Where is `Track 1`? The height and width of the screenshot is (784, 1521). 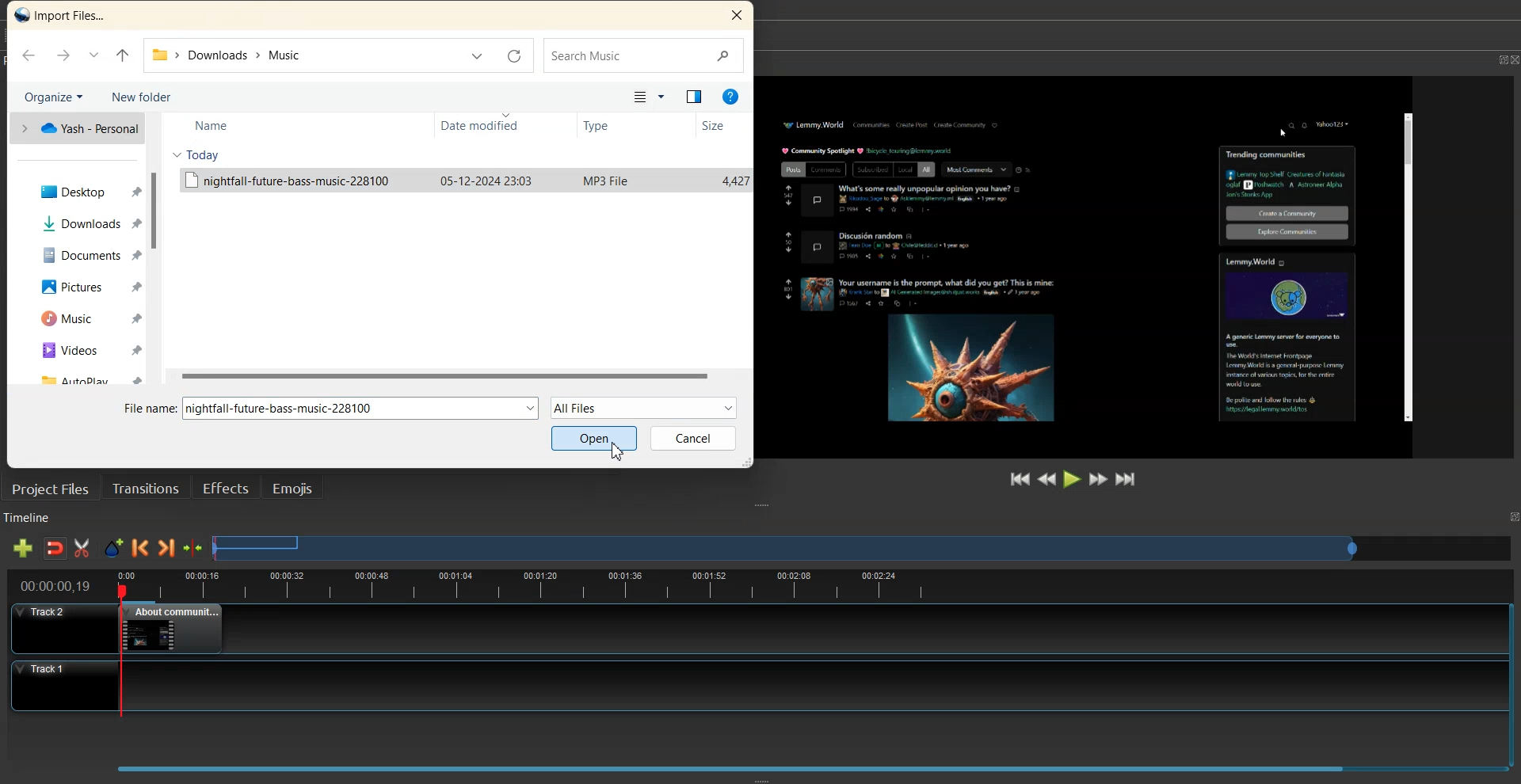
Track 1 is located at coordinates (818, 634).